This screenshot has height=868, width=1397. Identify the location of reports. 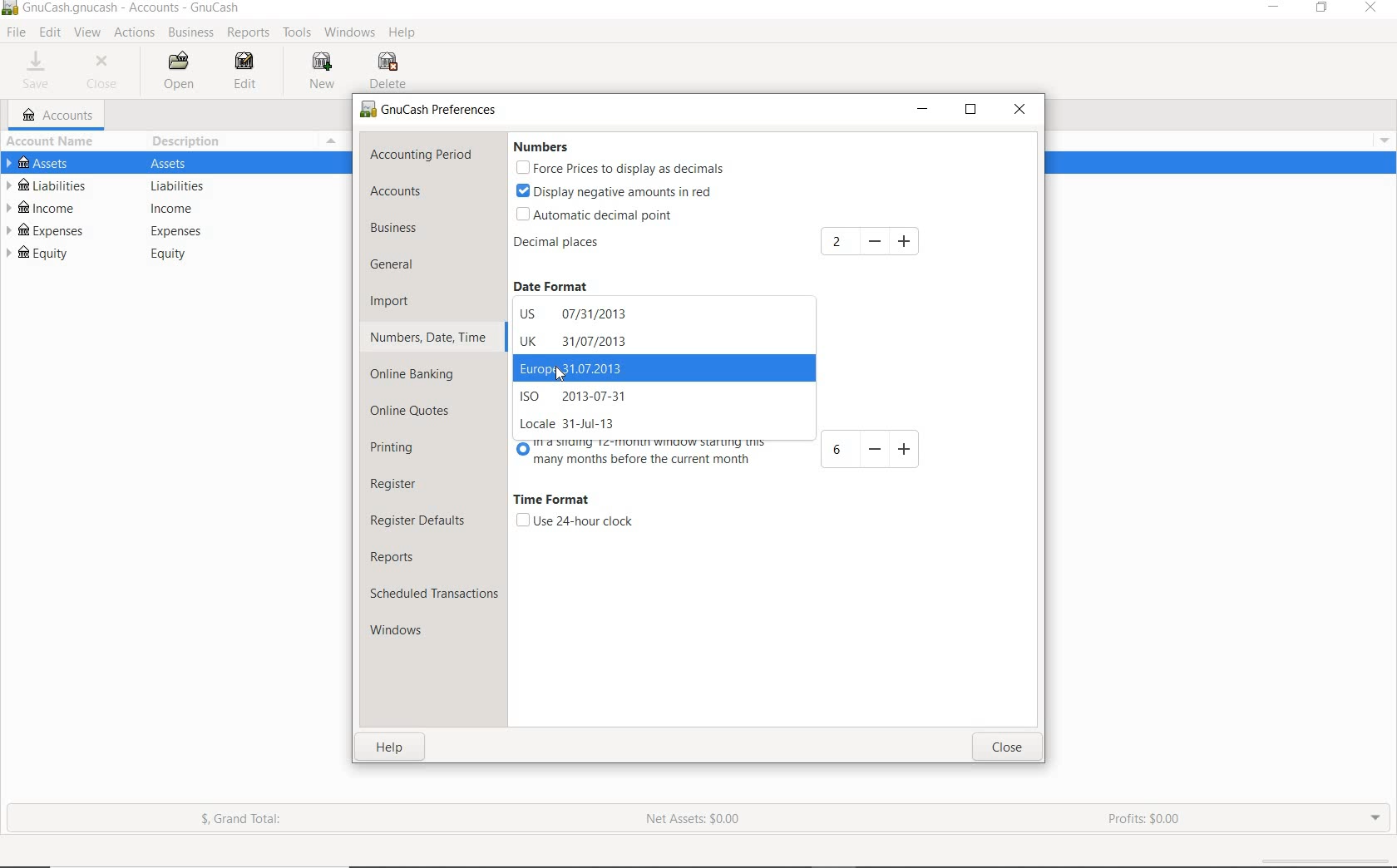
(411, 557).